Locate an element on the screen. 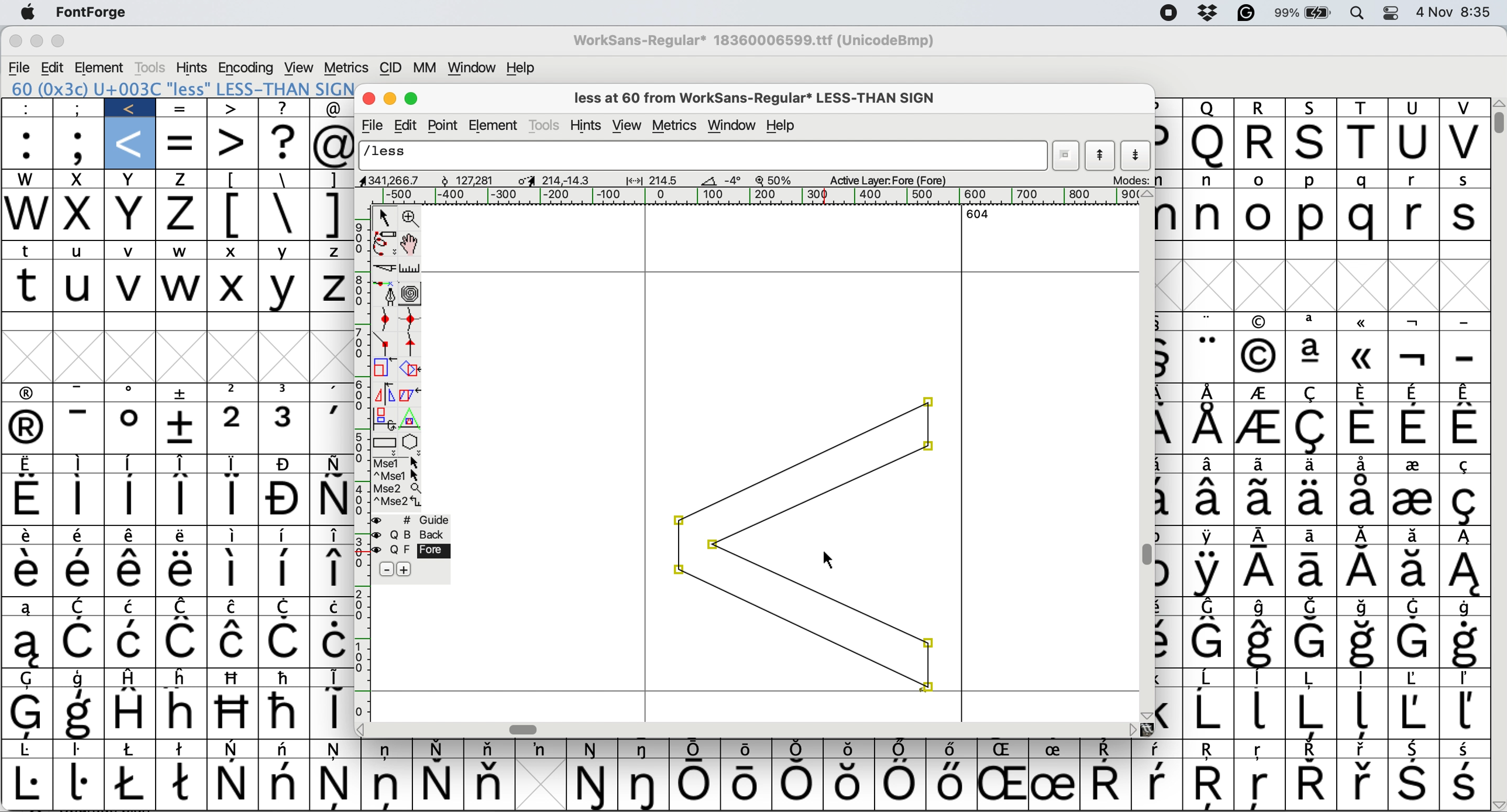 The height and width of the screenshot is (812, 1507). Symbol is located at coordinates (1466, 608).